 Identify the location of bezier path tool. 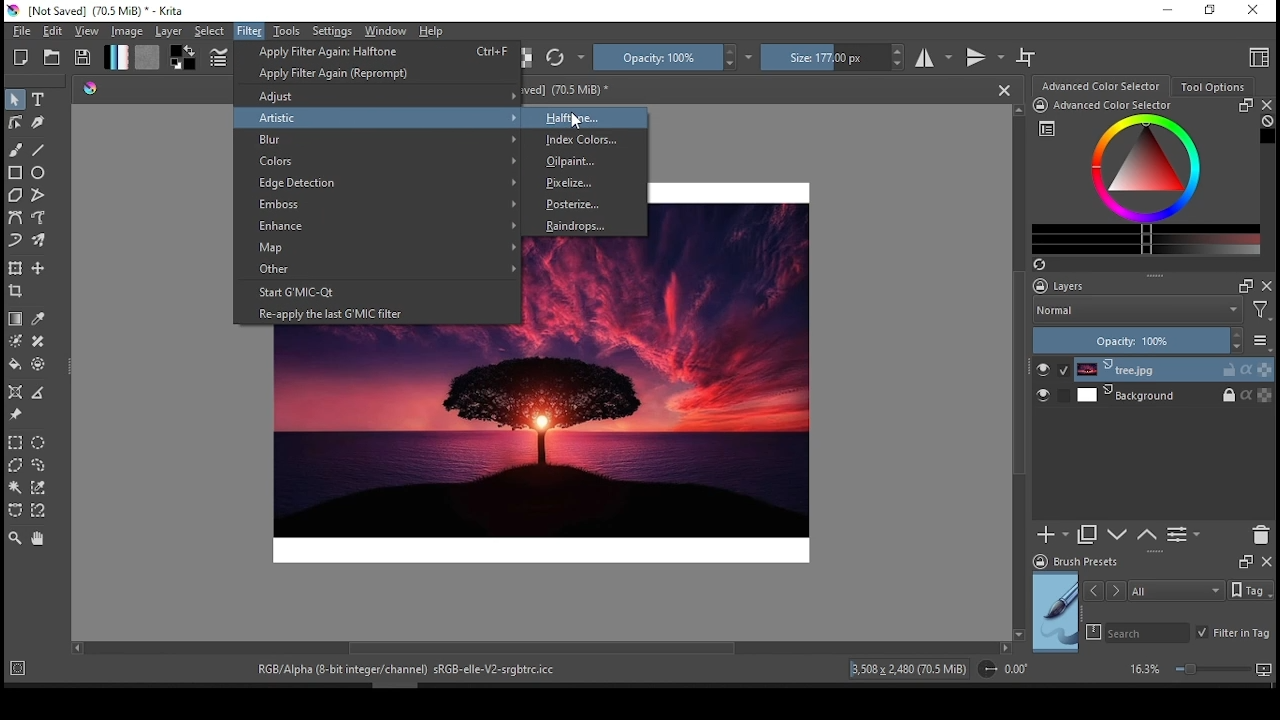
(16, 218).